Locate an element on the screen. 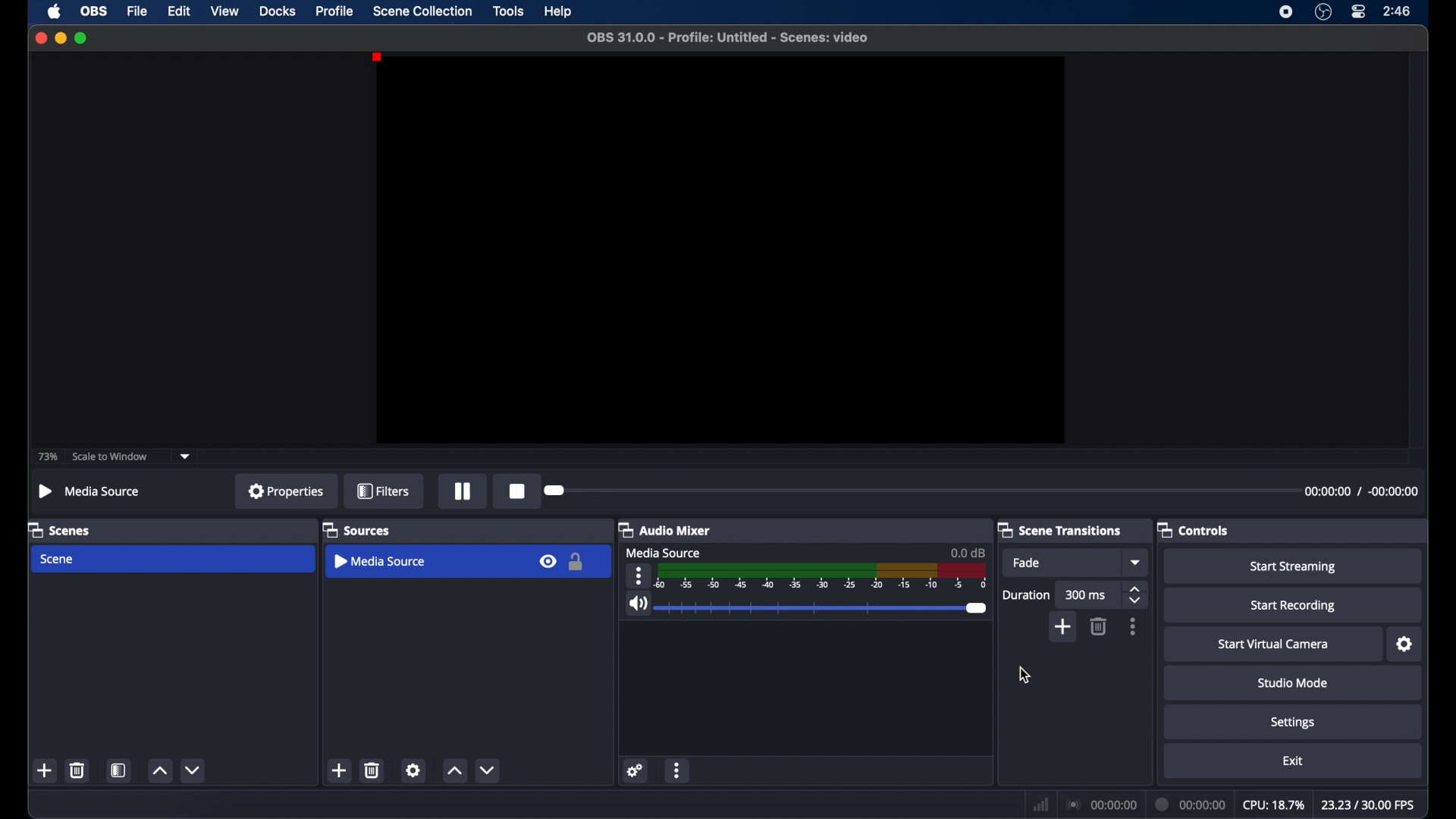 The width and height of the screenshot is (1456, 819). properties is located at coordinates (286, 491).